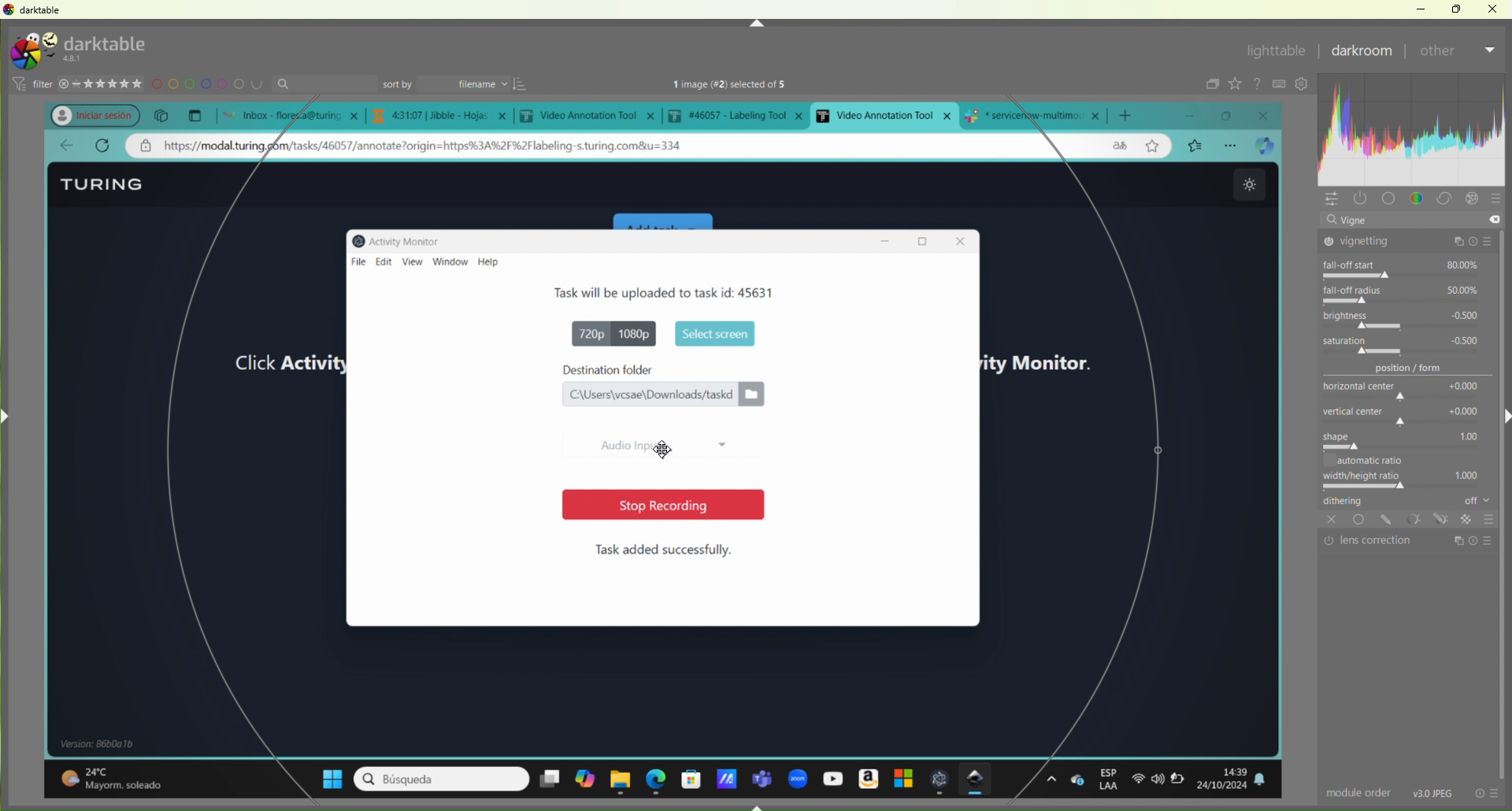  Describe the element at coordinates (1359, 51) in the screenshot. I see `Darkroom` at that location.